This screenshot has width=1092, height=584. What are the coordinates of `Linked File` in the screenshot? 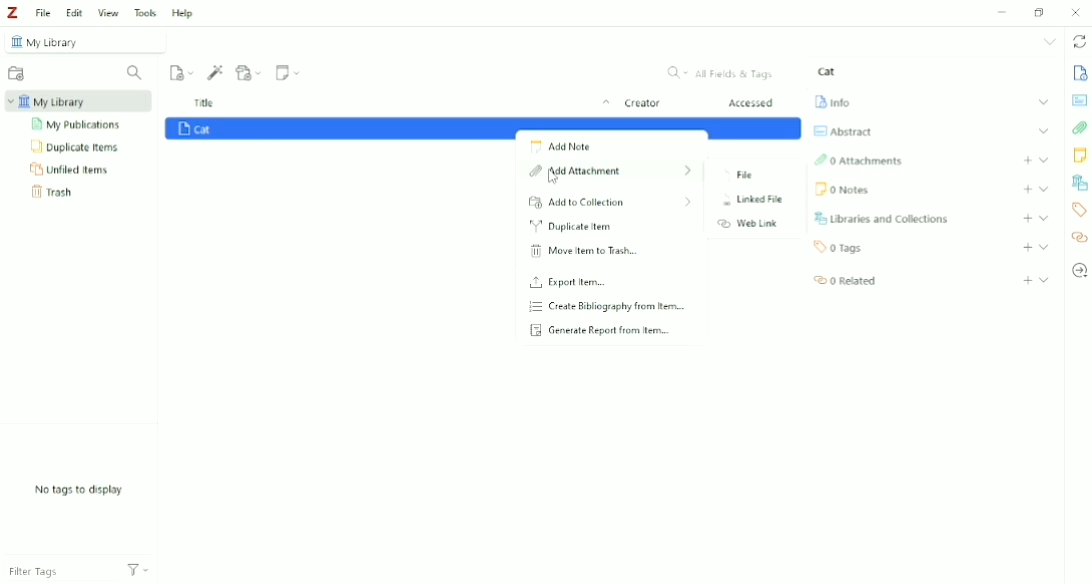 It's located at (748, 201).